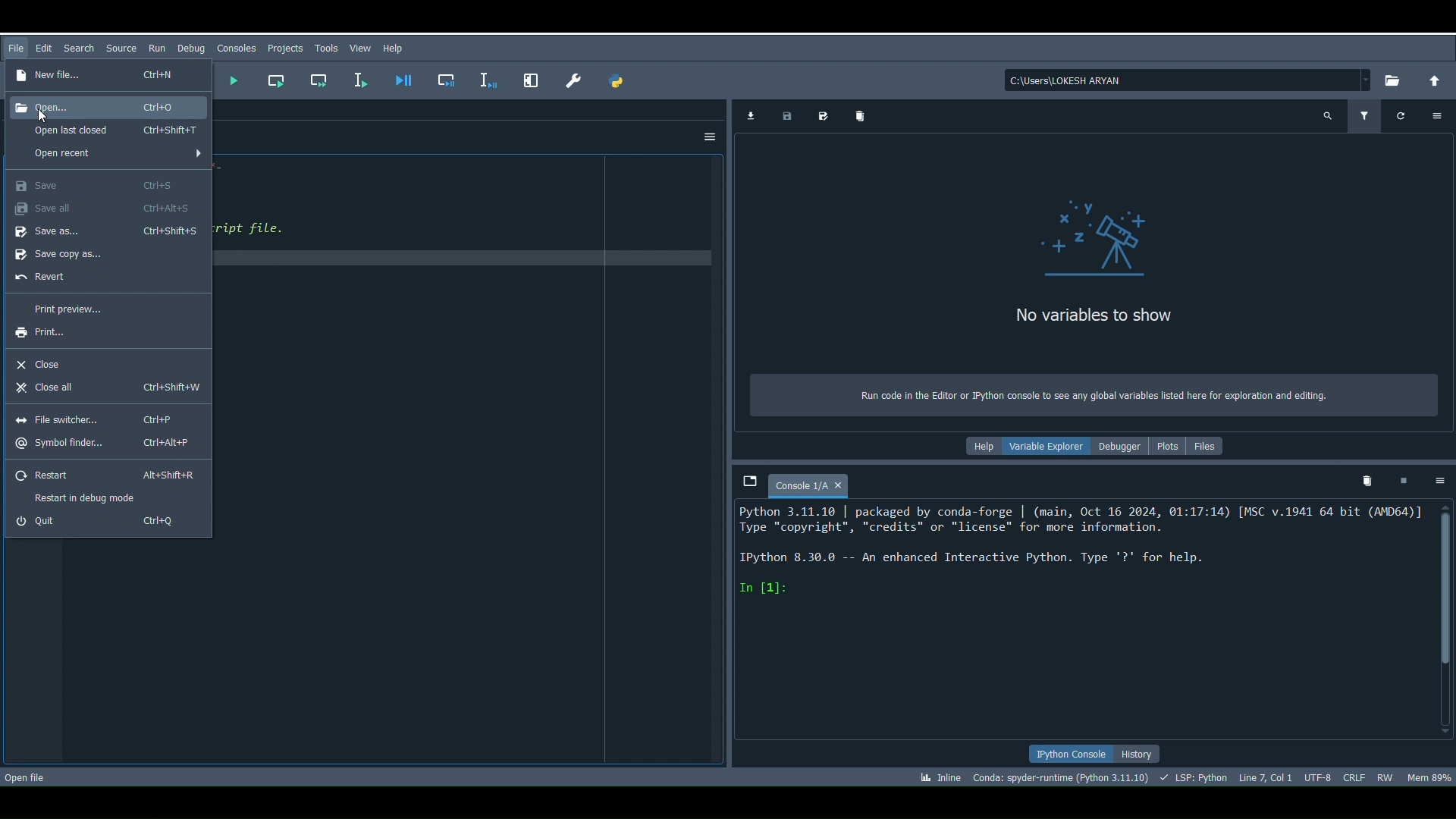 This screenshot has width=1456, height=819. What do you see at coordinates (155, 45) in the screenshot?
I see `Run` at bounding box center [155, 45].